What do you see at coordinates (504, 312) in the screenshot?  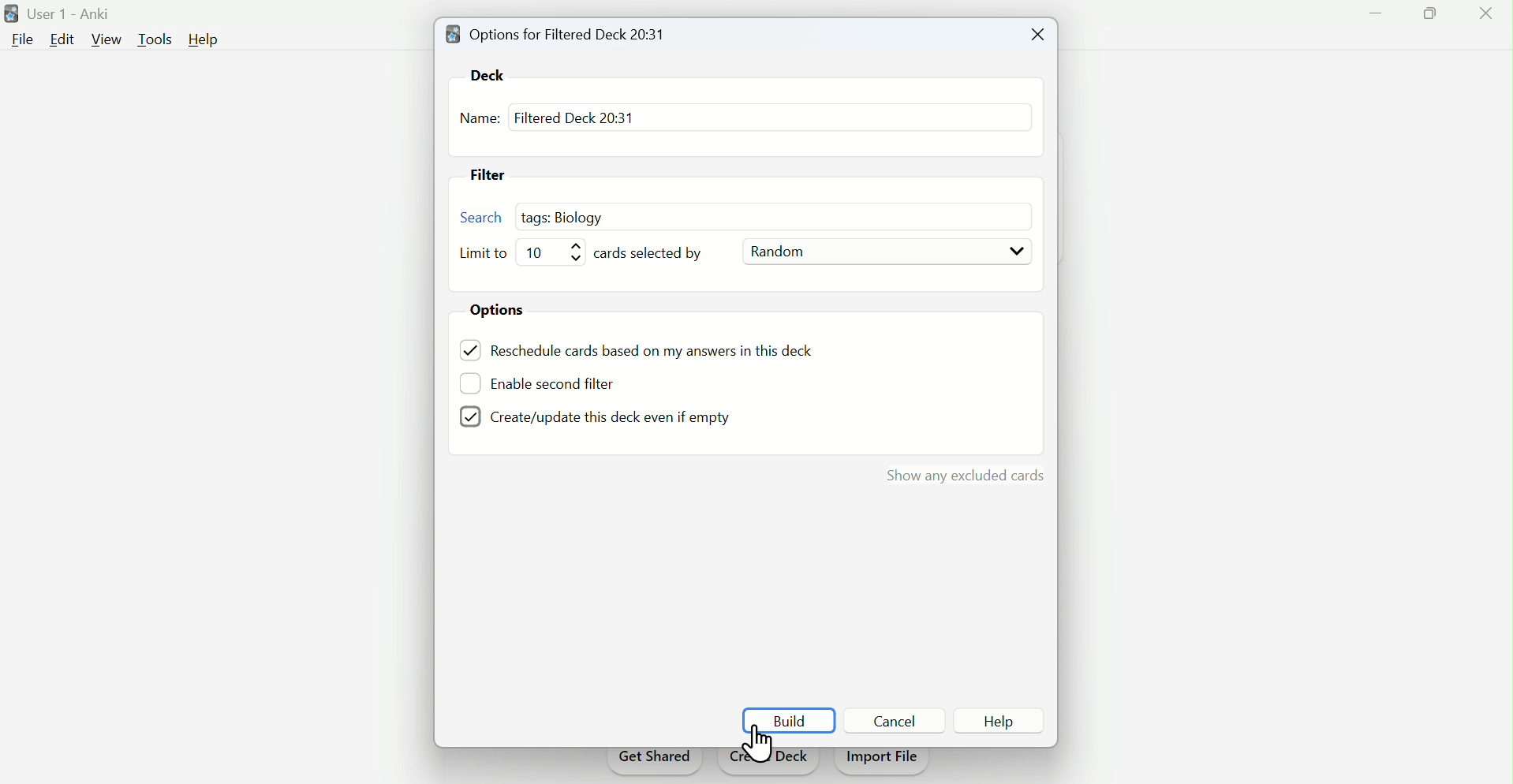 I see `Options` at bounding box center [504, 312].